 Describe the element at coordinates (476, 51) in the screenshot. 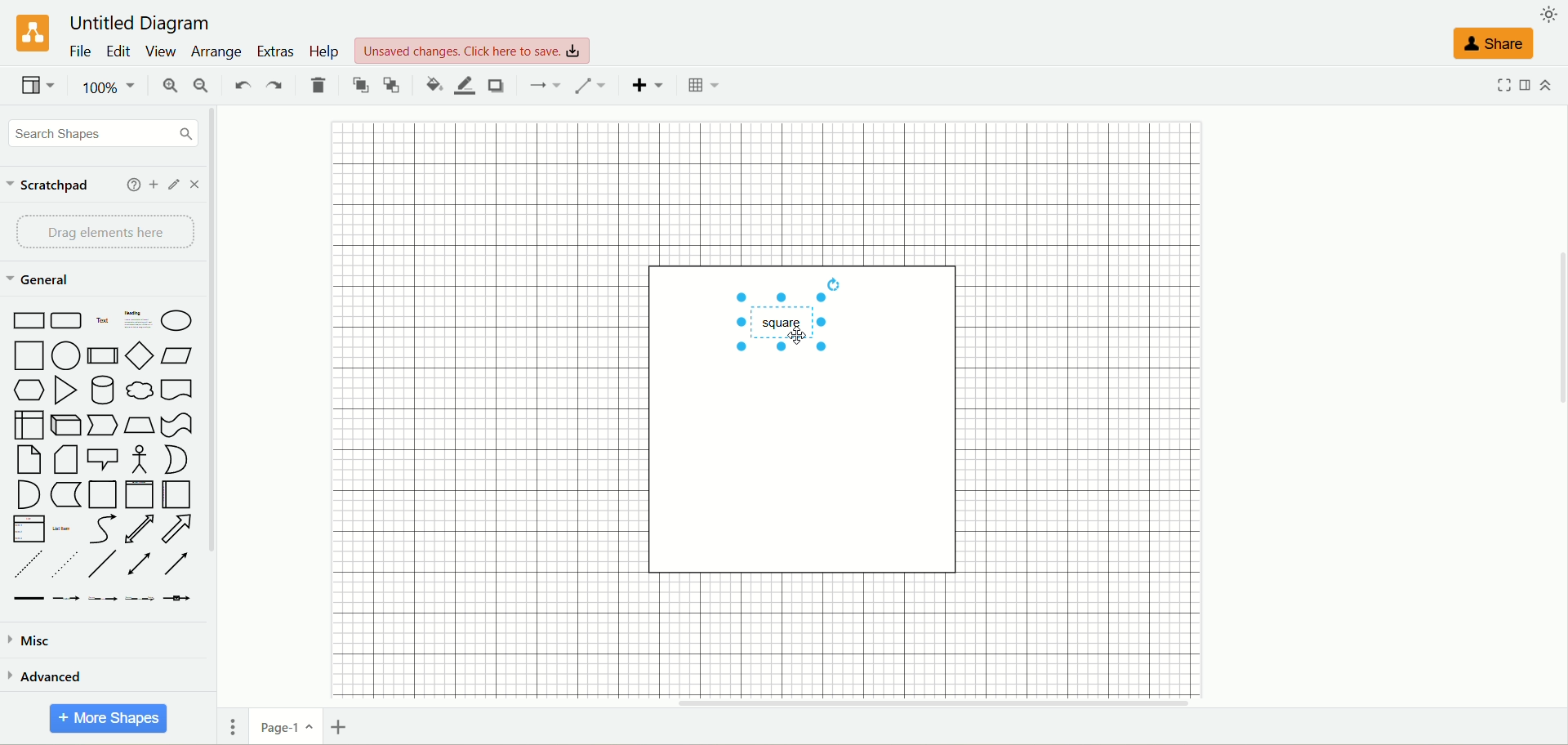

I see `text` at that location.